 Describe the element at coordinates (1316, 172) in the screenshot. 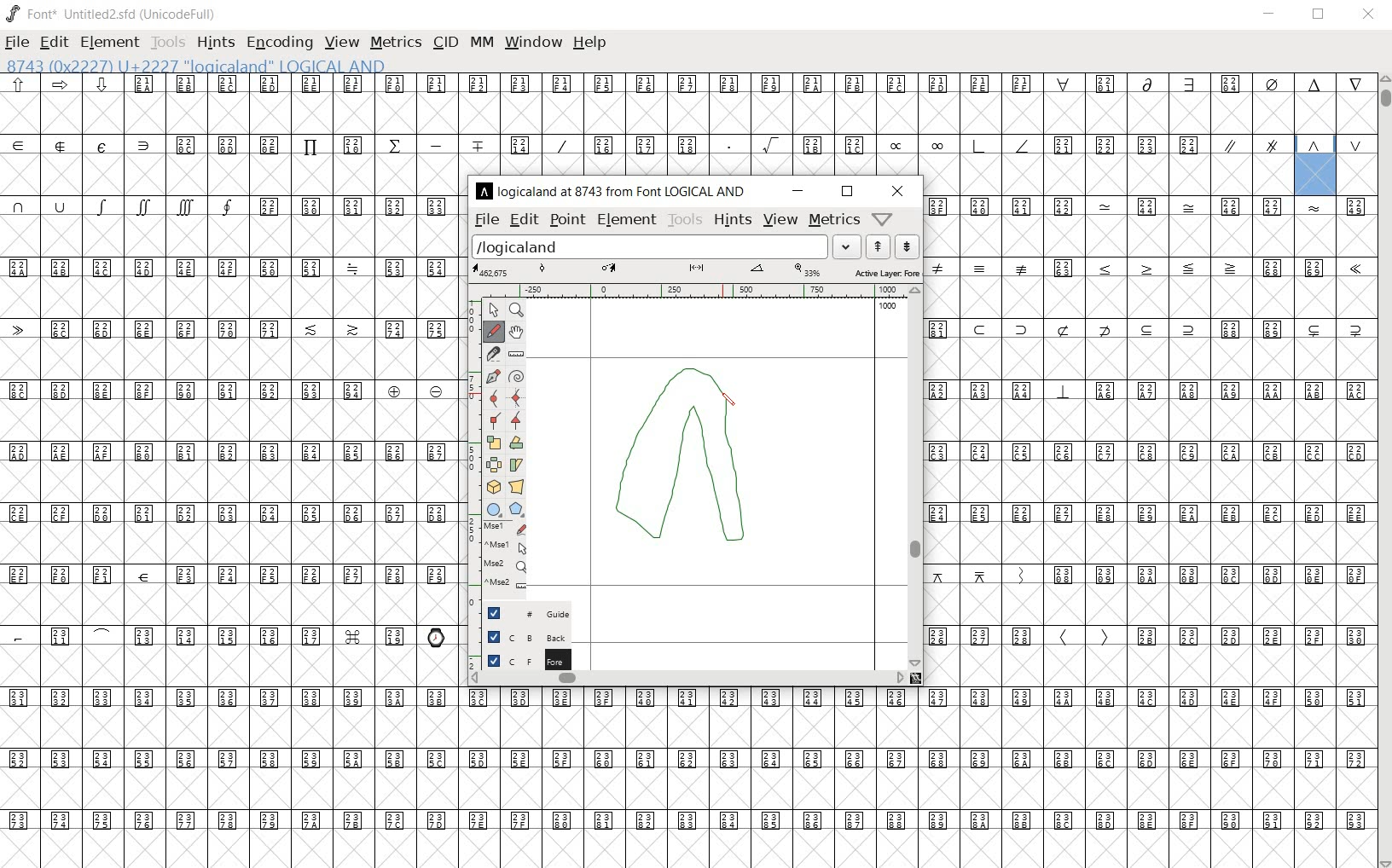

I see `8743 (0x22227) U+2227 "logicaland" LOGICAL AND` at that location.